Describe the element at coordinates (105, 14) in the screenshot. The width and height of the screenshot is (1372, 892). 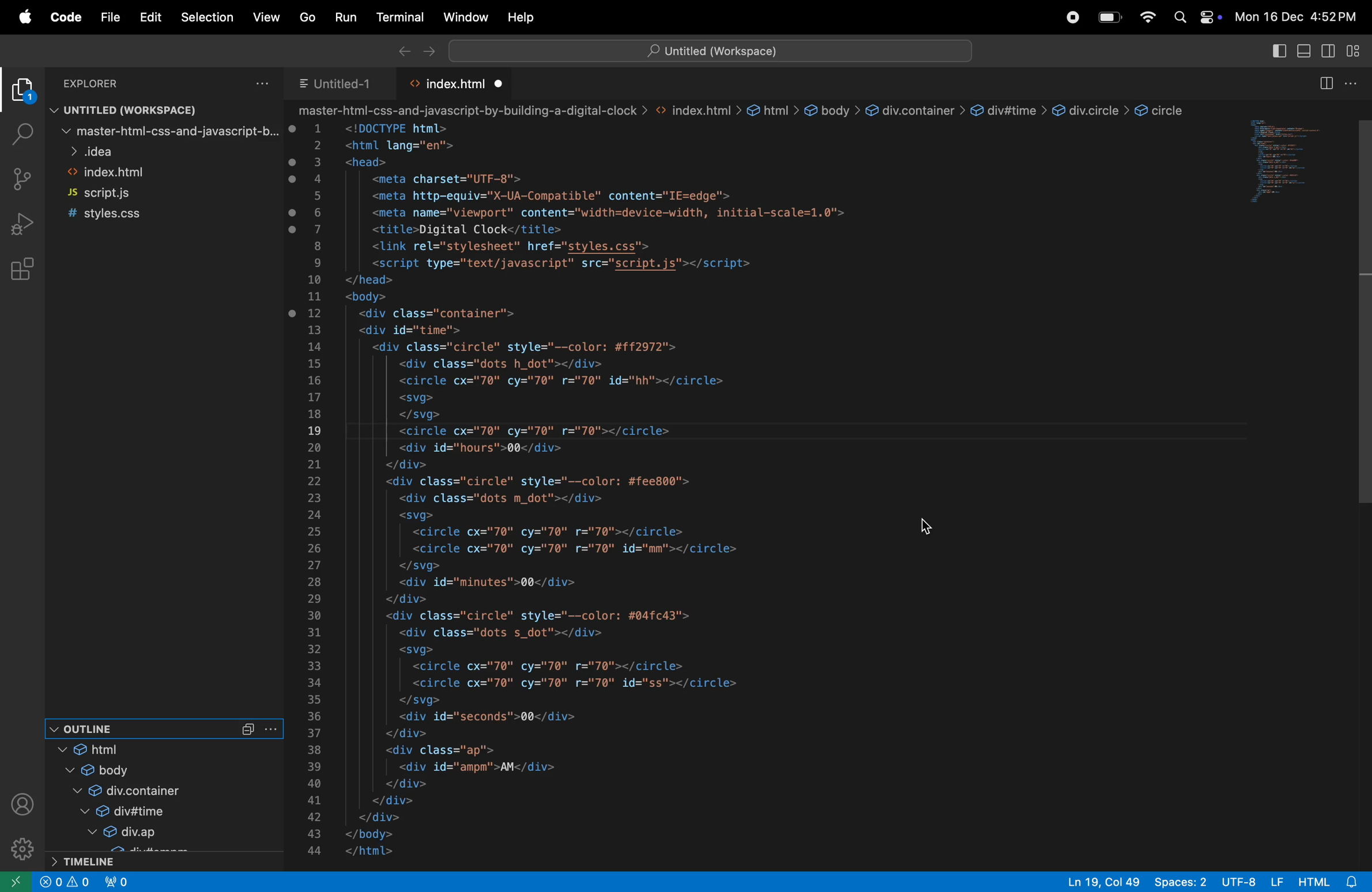
I see `file` at that location.